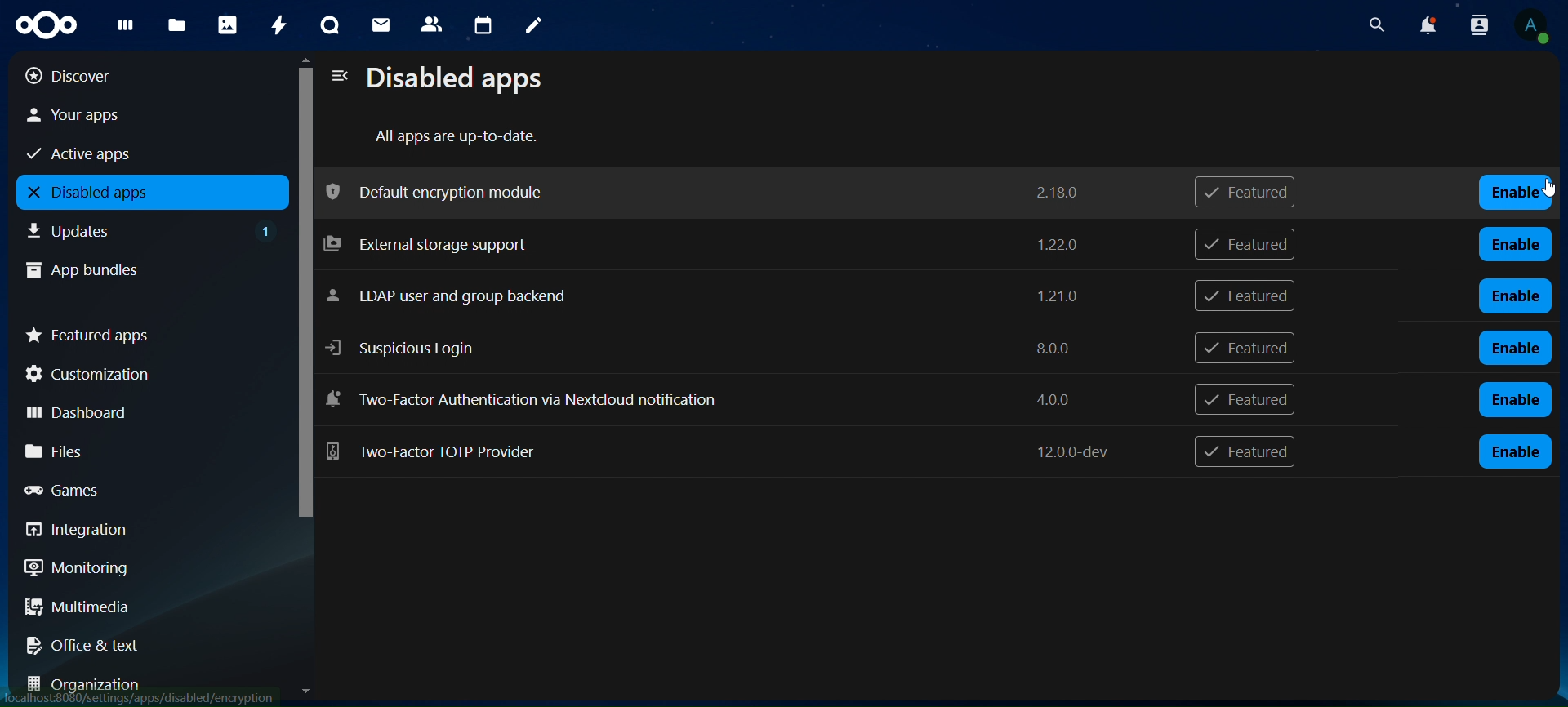 This screenshot has height=707, width=1568. I want to click on mail, so click(381, 23).